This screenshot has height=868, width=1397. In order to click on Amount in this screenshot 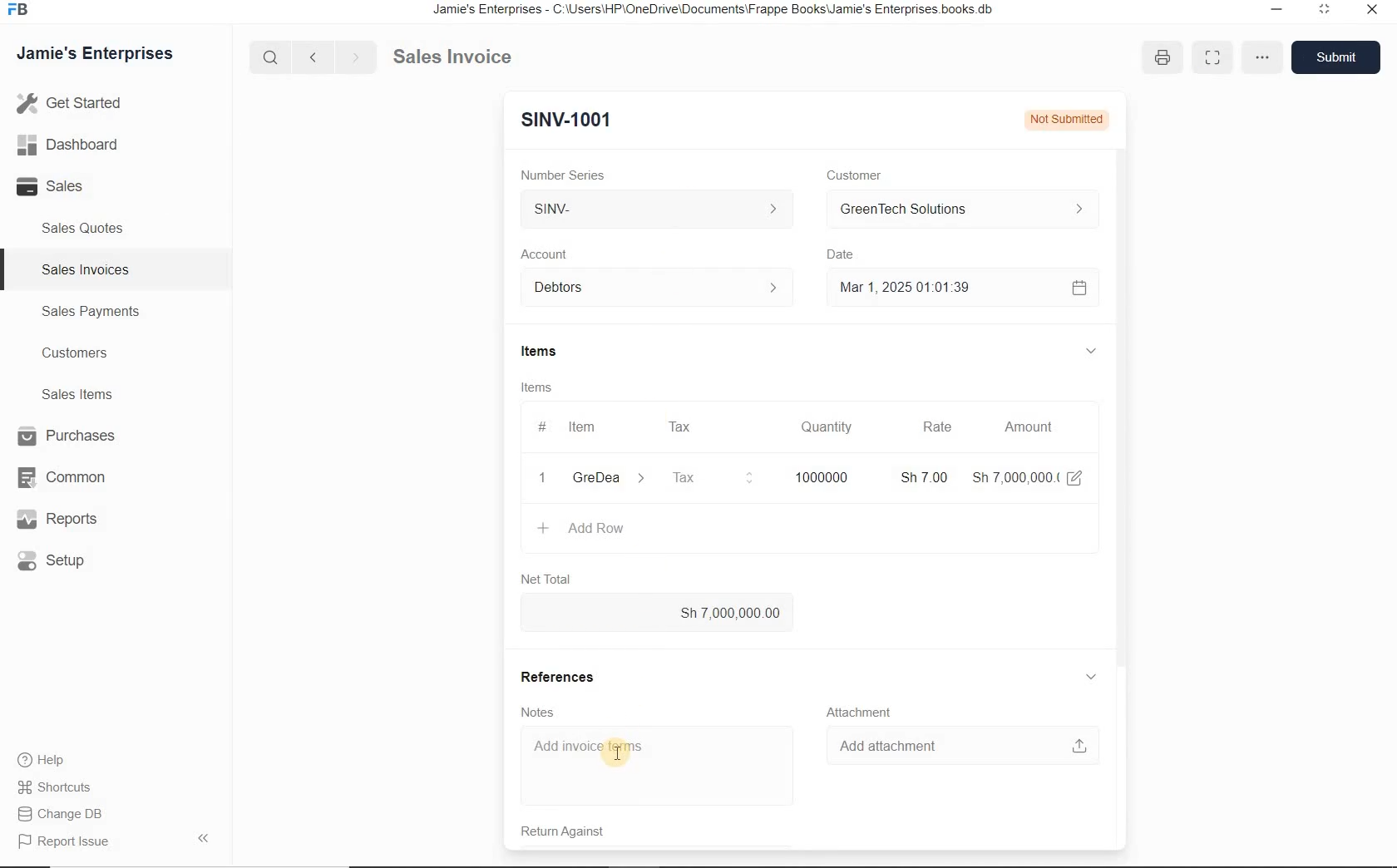, I will do `click(1028, 427)`.